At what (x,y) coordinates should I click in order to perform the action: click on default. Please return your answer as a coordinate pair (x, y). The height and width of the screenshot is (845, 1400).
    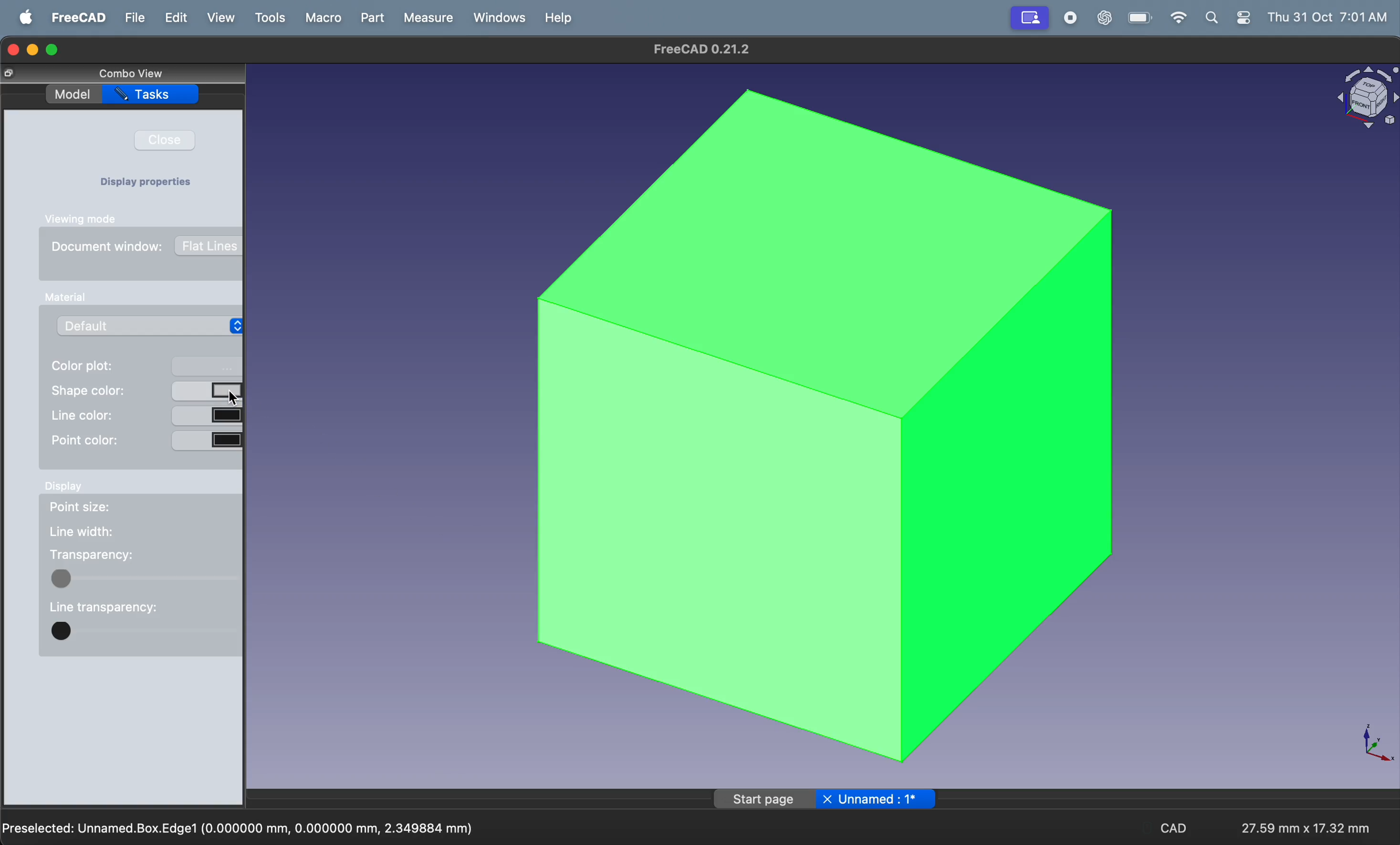
    Looking at the image, I should click on (155, 325).